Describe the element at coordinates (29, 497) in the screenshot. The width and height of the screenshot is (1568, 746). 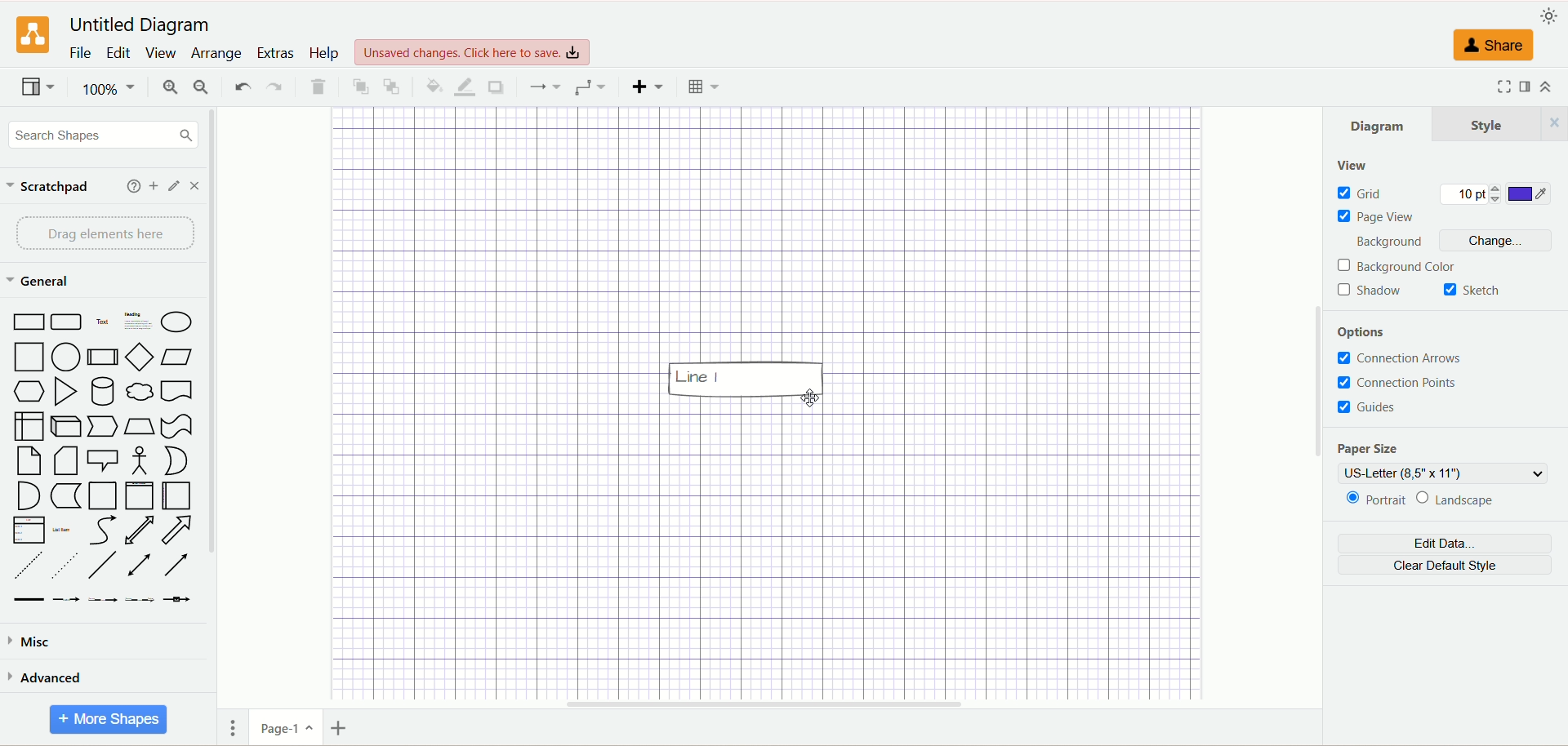
I see `And` at that location.